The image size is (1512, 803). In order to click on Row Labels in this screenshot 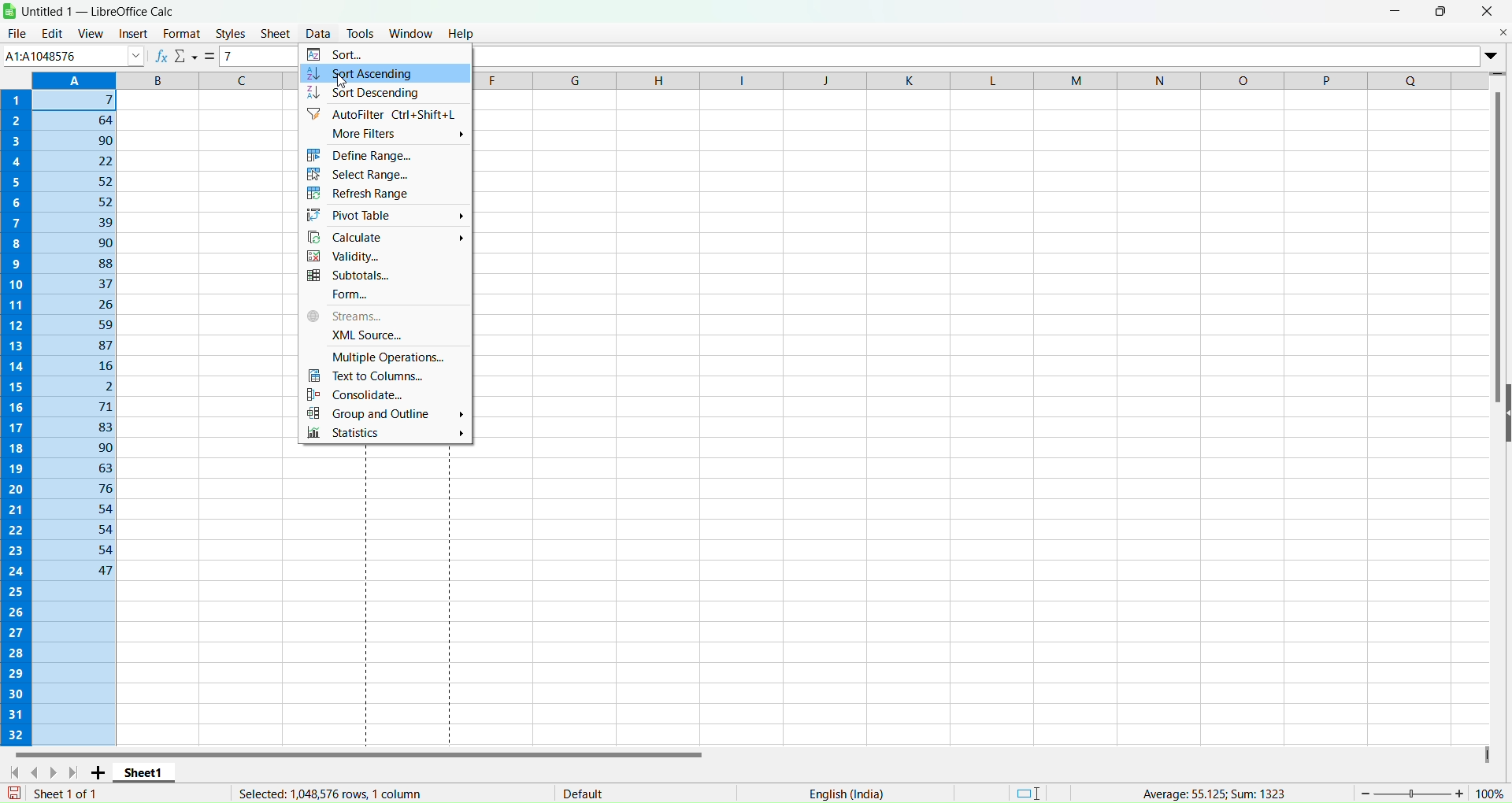, I will do `click(17, 414)`.